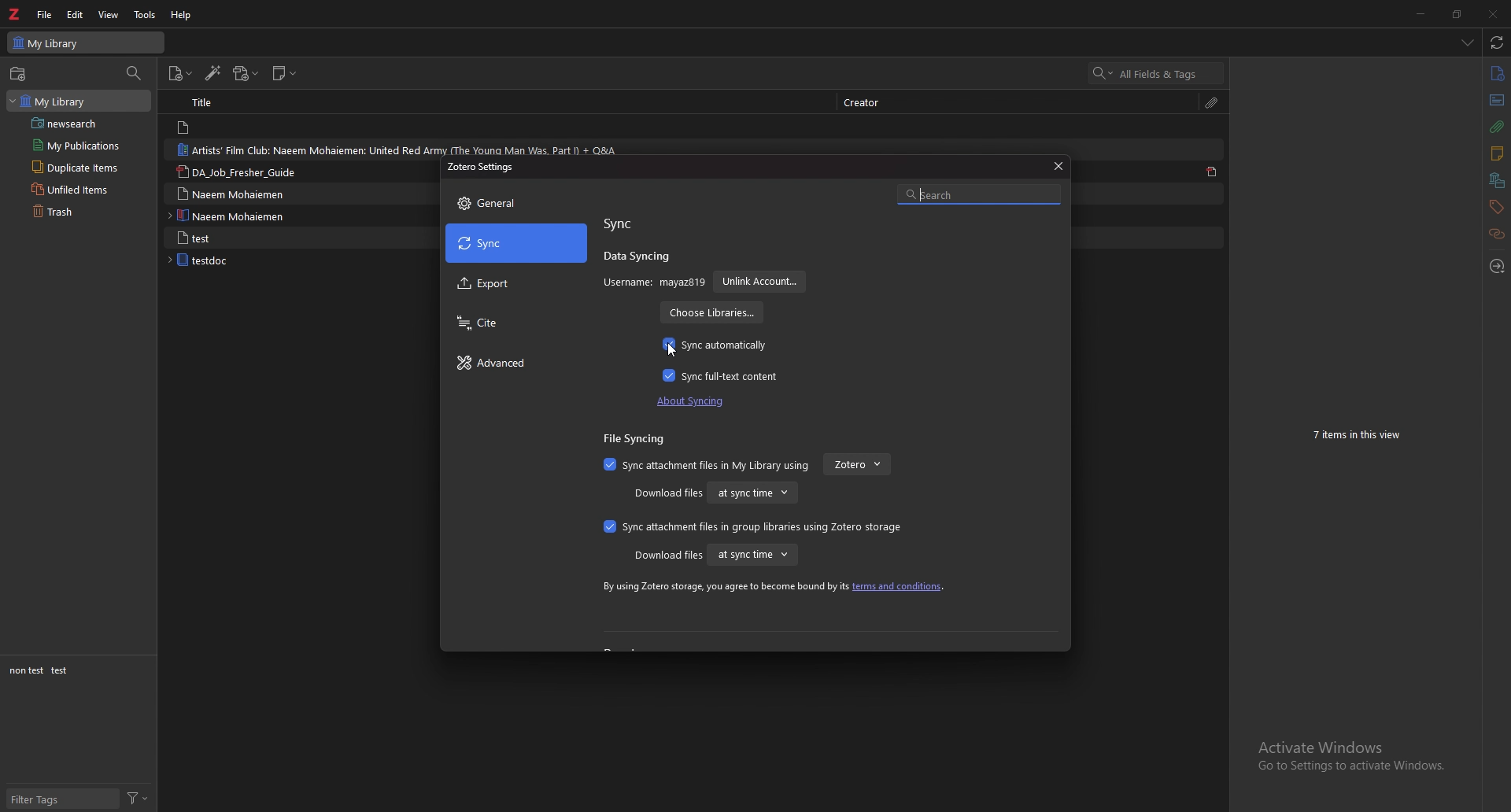  Describe the element at coordinates (752, 555) in the screenshot. I see `at sync time` at that location.